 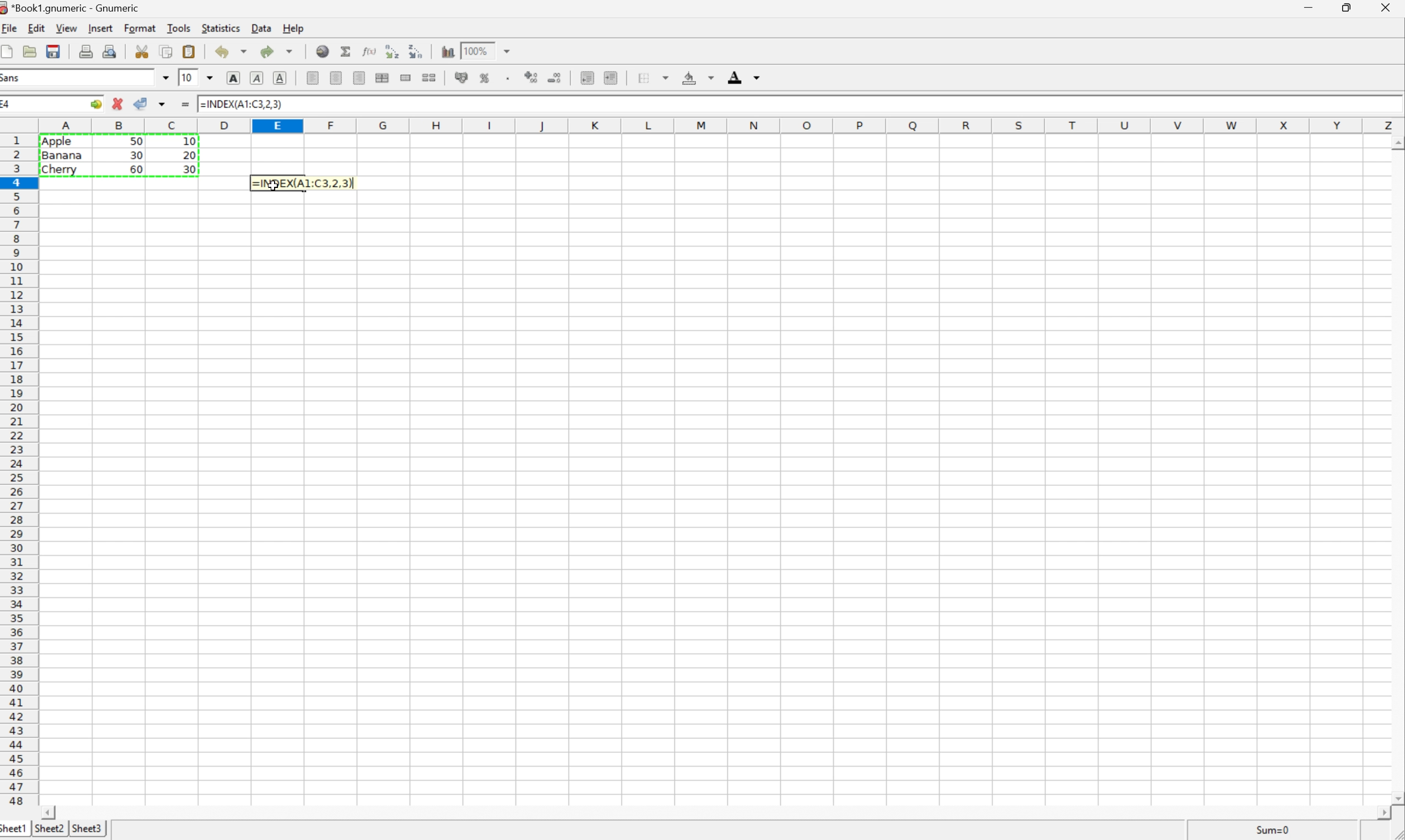 I want to click on sheet2, so click(x=49, y=828).